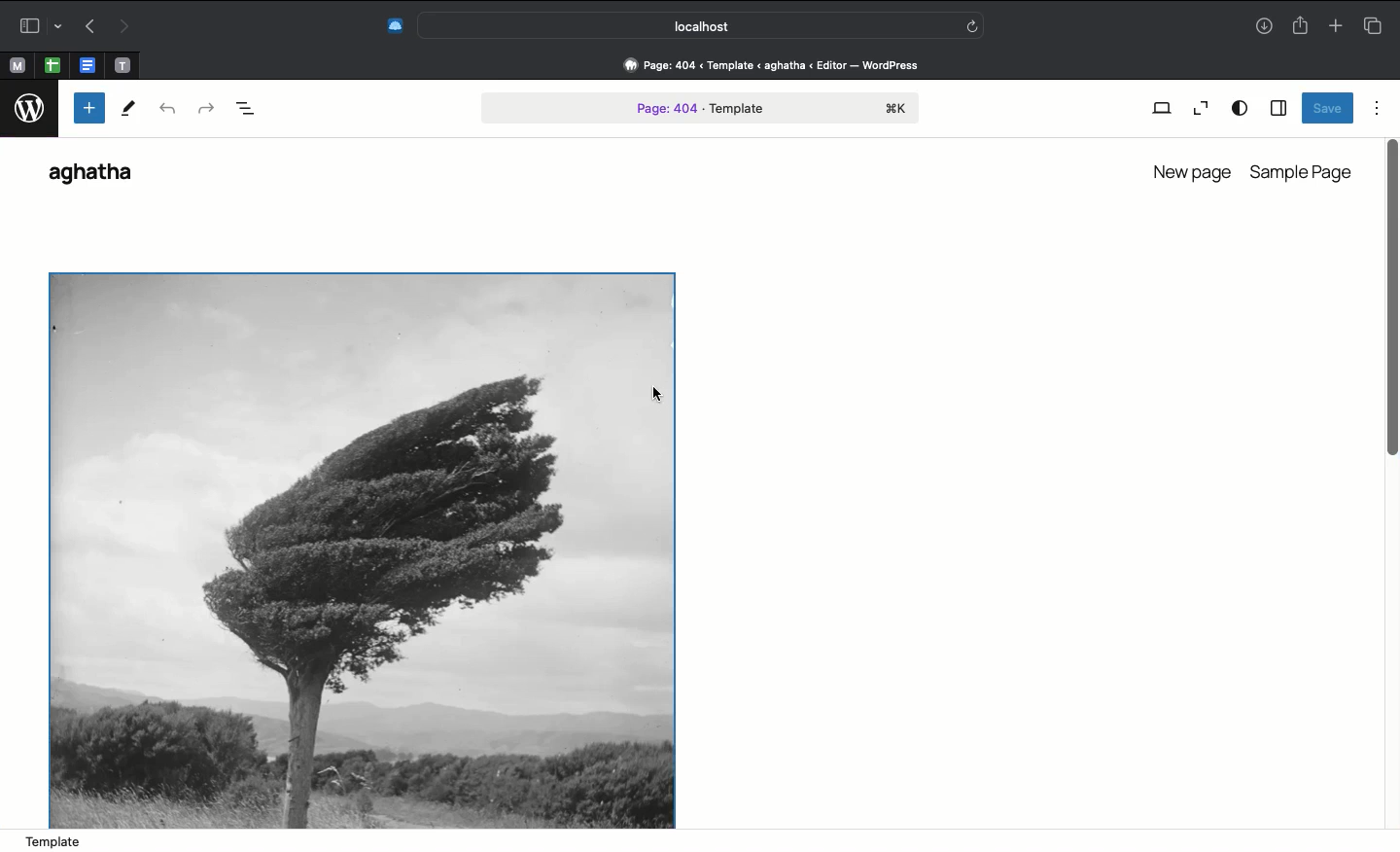 The height and width of the screenshot is (852, 1400). I want to click on Redo, so click(122, 27).